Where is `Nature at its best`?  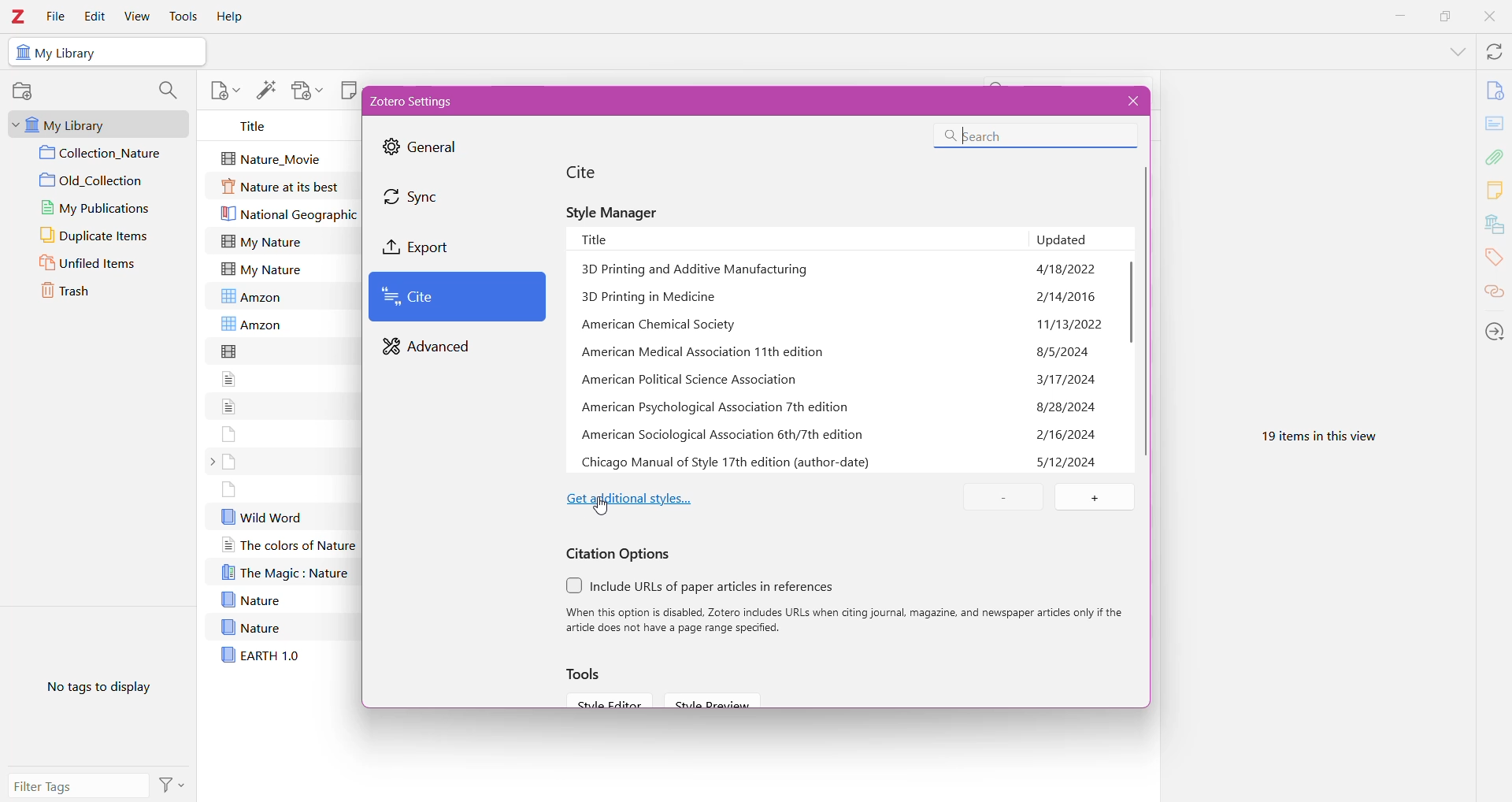 Nature at its best is located at coordinates (283, 188).